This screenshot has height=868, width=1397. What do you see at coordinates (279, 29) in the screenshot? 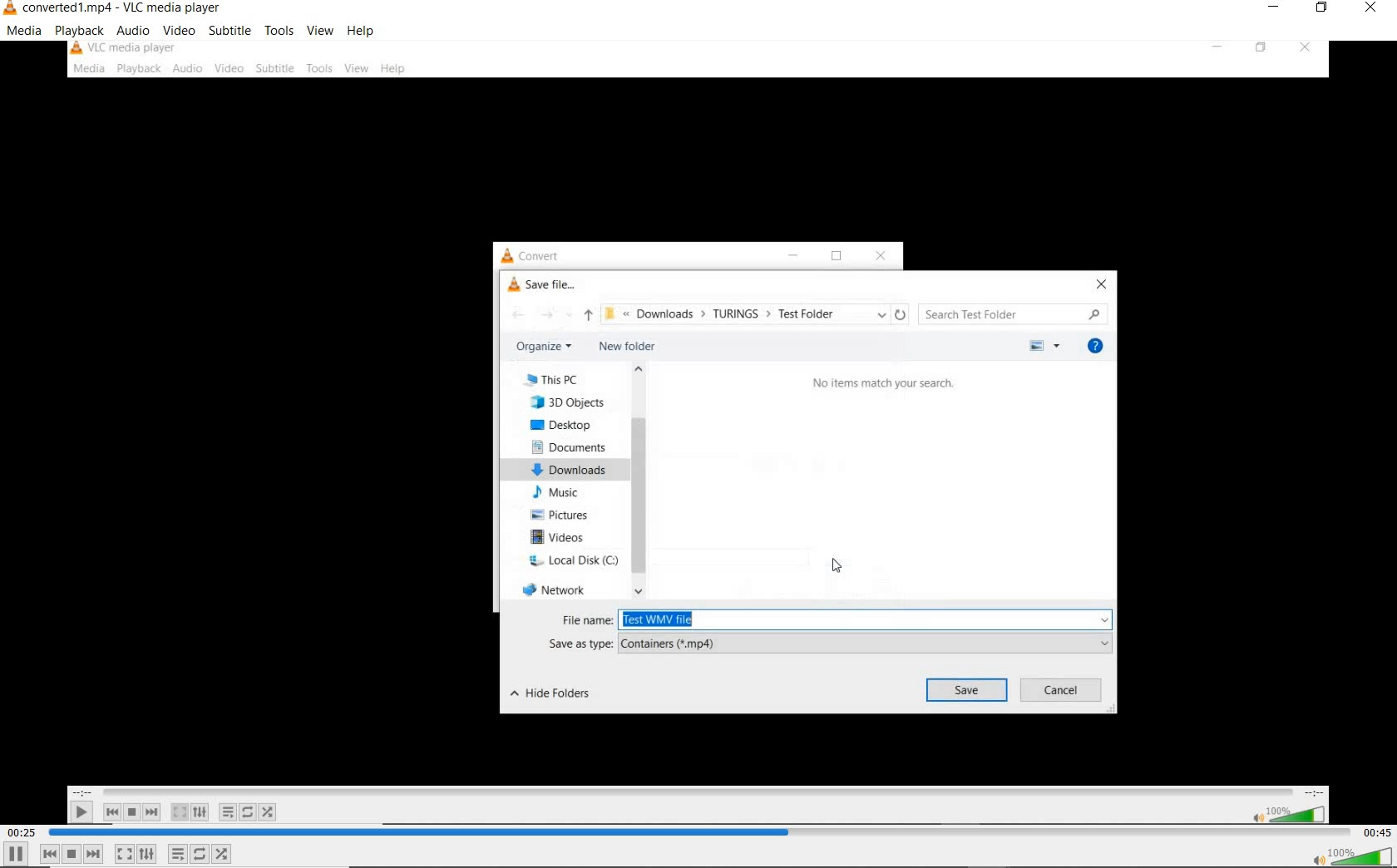
I see `tools` at bounding box center [279, 29].